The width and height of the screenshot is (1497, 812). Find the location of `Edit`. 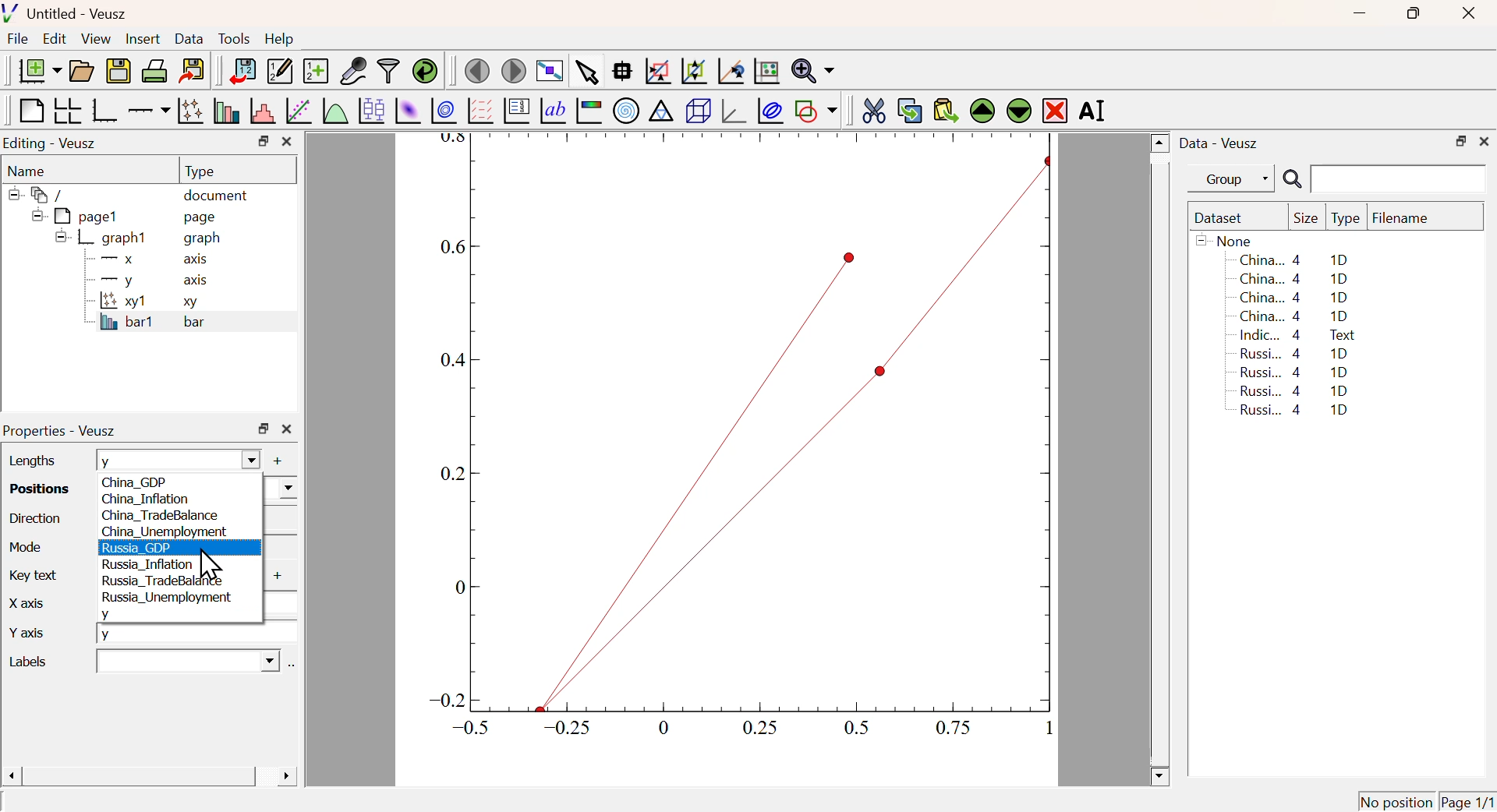

Edit is located at coordinates (55, 37).